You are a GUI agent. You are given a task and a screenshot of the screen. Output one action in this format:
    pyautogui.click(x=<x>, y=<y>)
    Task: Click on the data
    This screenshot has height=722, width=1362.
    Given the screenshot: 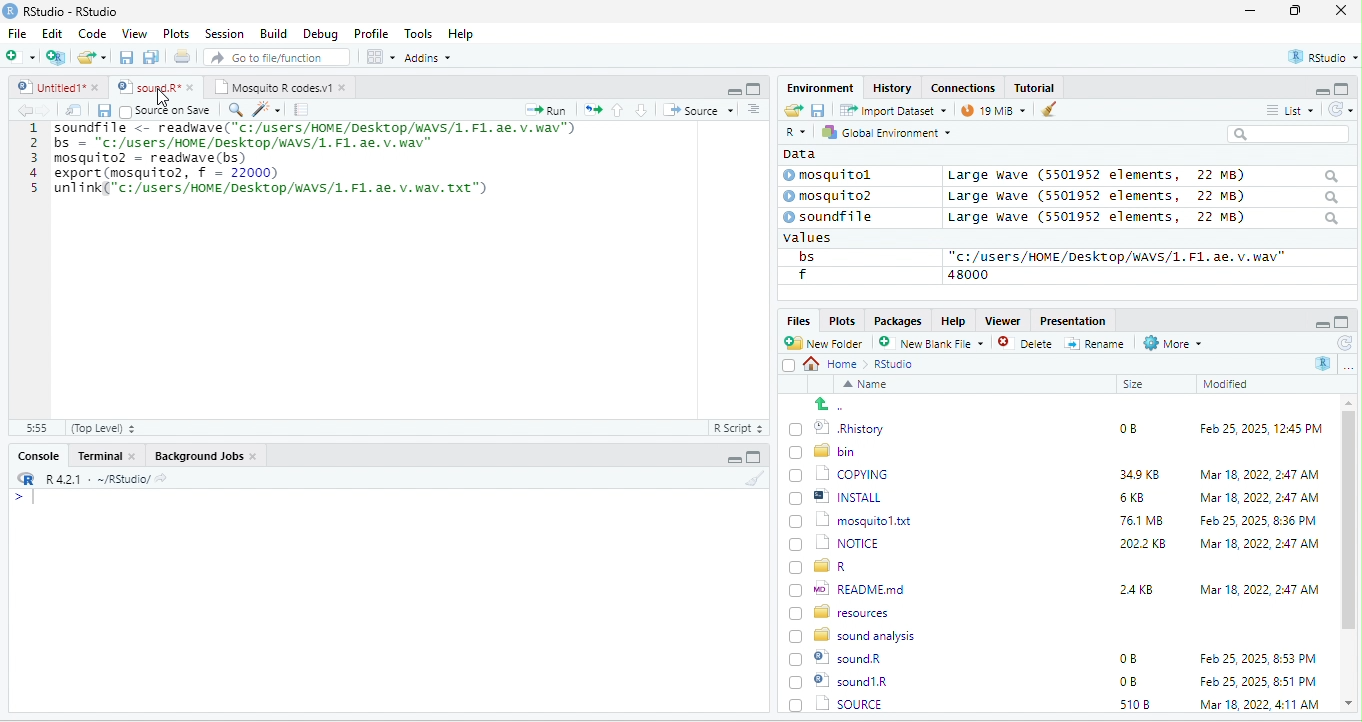 What is the action you would take?
    pyautogui.click(x=797, y=153)
    